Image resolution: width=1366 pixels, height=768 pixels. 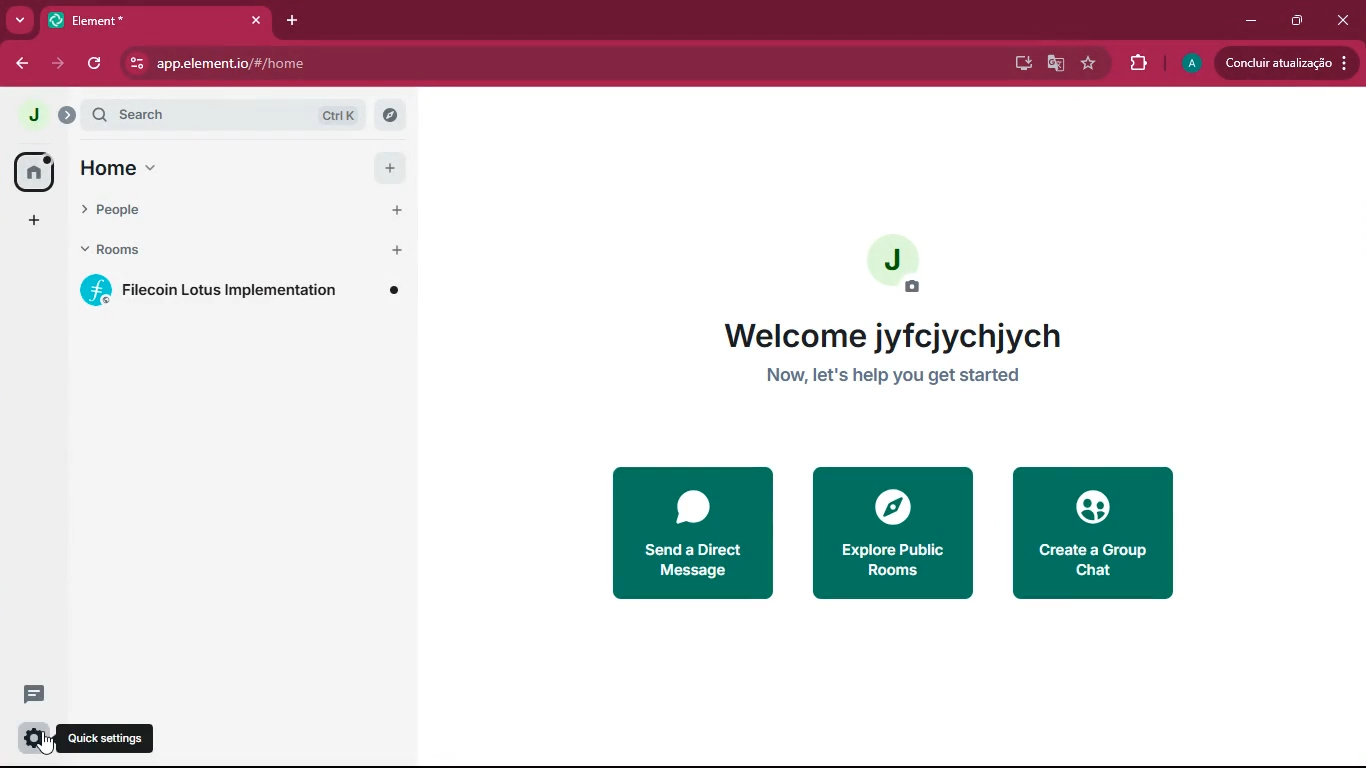 I want to click on rooms, so click(x=237, y=251).